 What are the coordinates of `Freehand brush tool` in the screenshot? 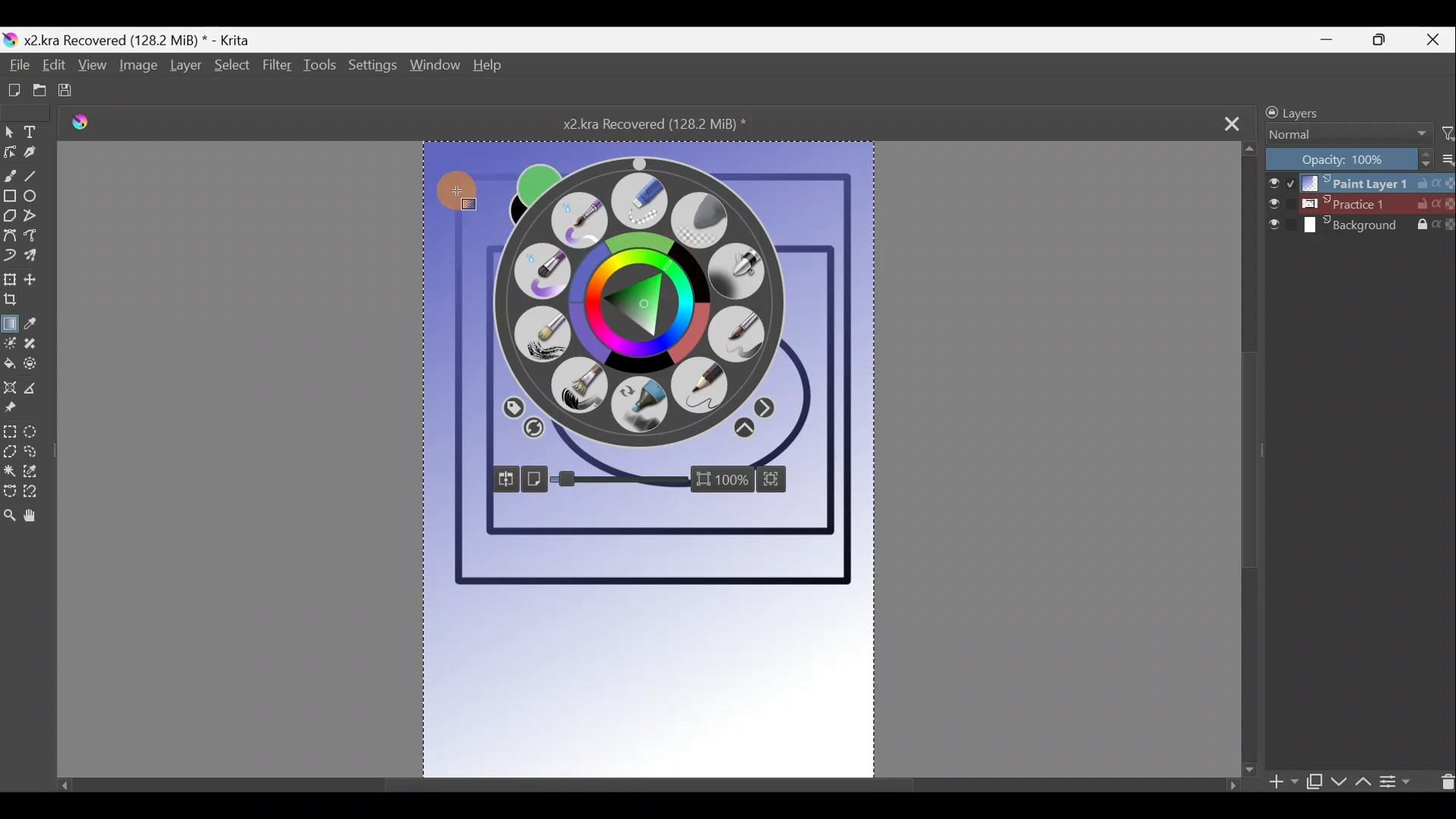 It's located at (10, 175).